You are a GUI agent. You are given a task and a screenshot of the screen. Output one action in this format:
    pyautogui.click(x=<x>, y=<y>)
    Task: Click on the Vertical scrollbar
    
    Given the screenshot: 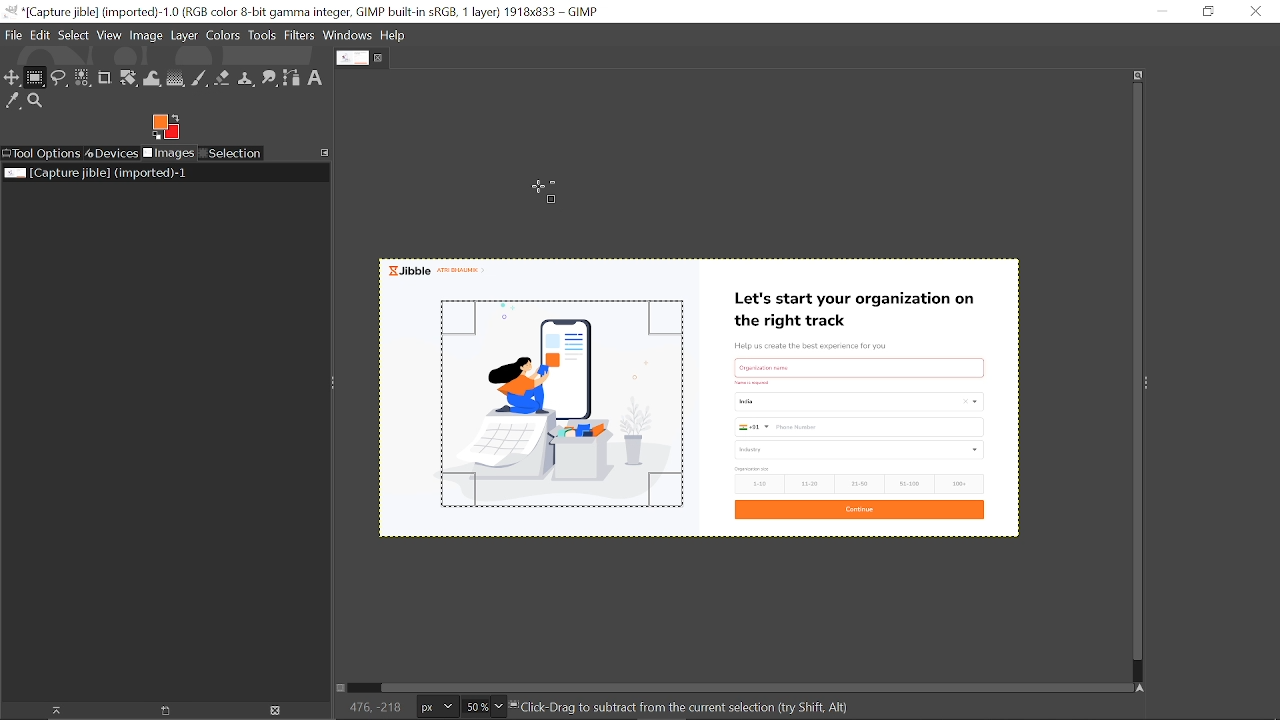 What is the action you would take?
    pyautogui.click(x=1133, y=373)
    